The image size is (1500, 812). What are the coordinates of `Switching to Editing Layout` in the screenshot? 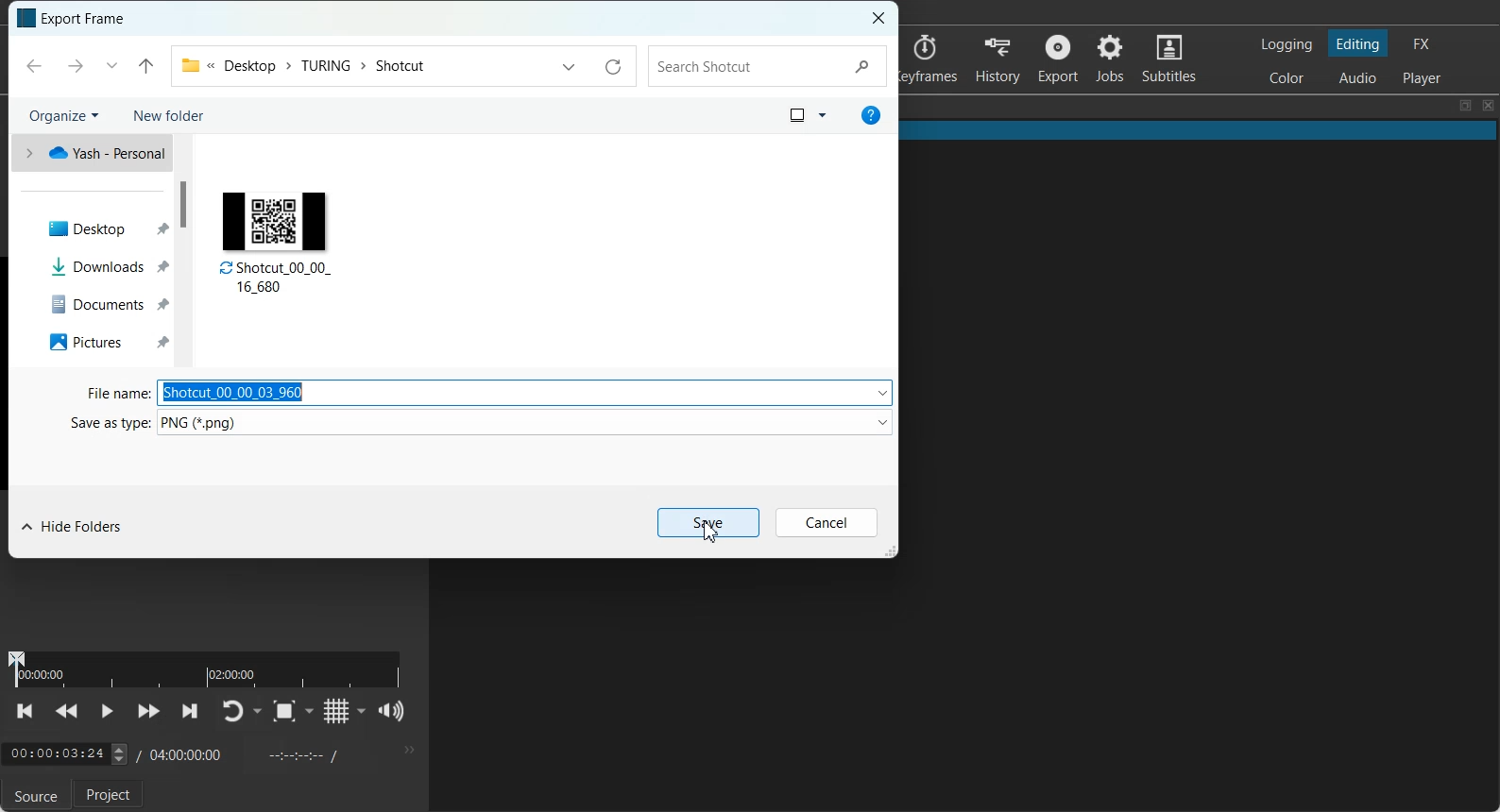 It's located at (1356, 43).